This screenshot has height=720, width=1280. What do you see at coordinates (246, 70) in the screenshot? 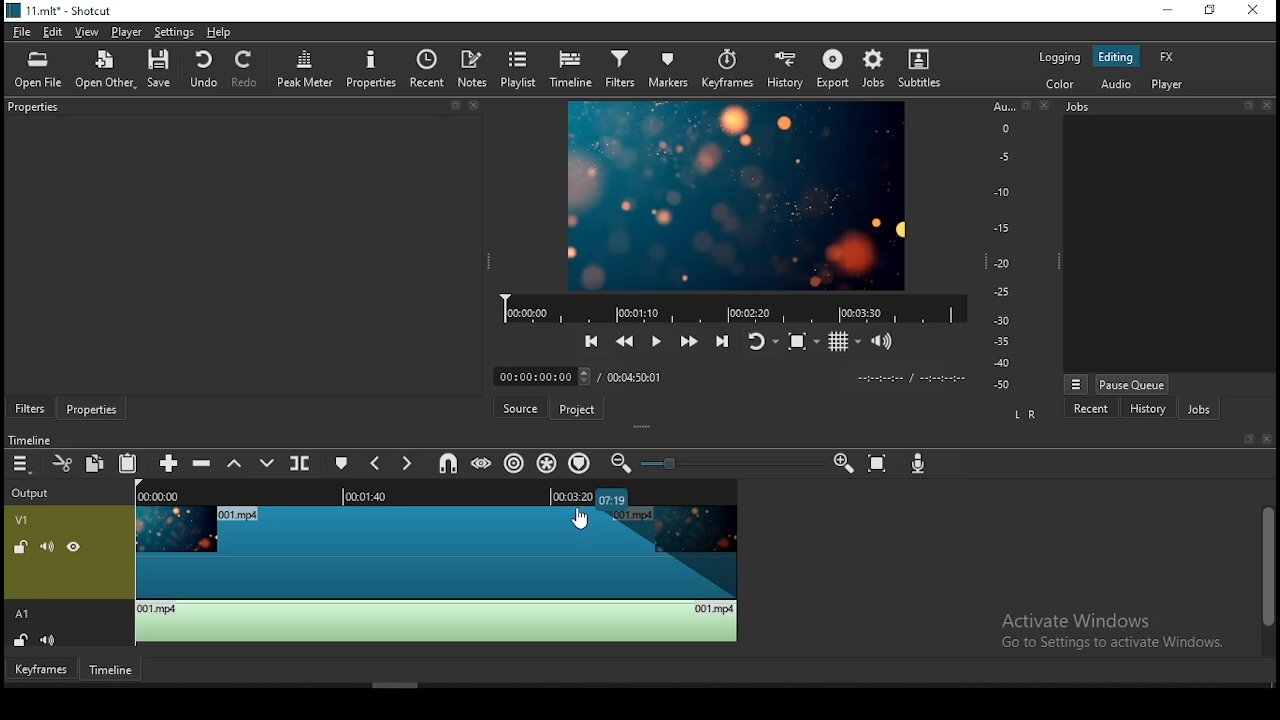
I see `redo` at bounding box center [246, 70].